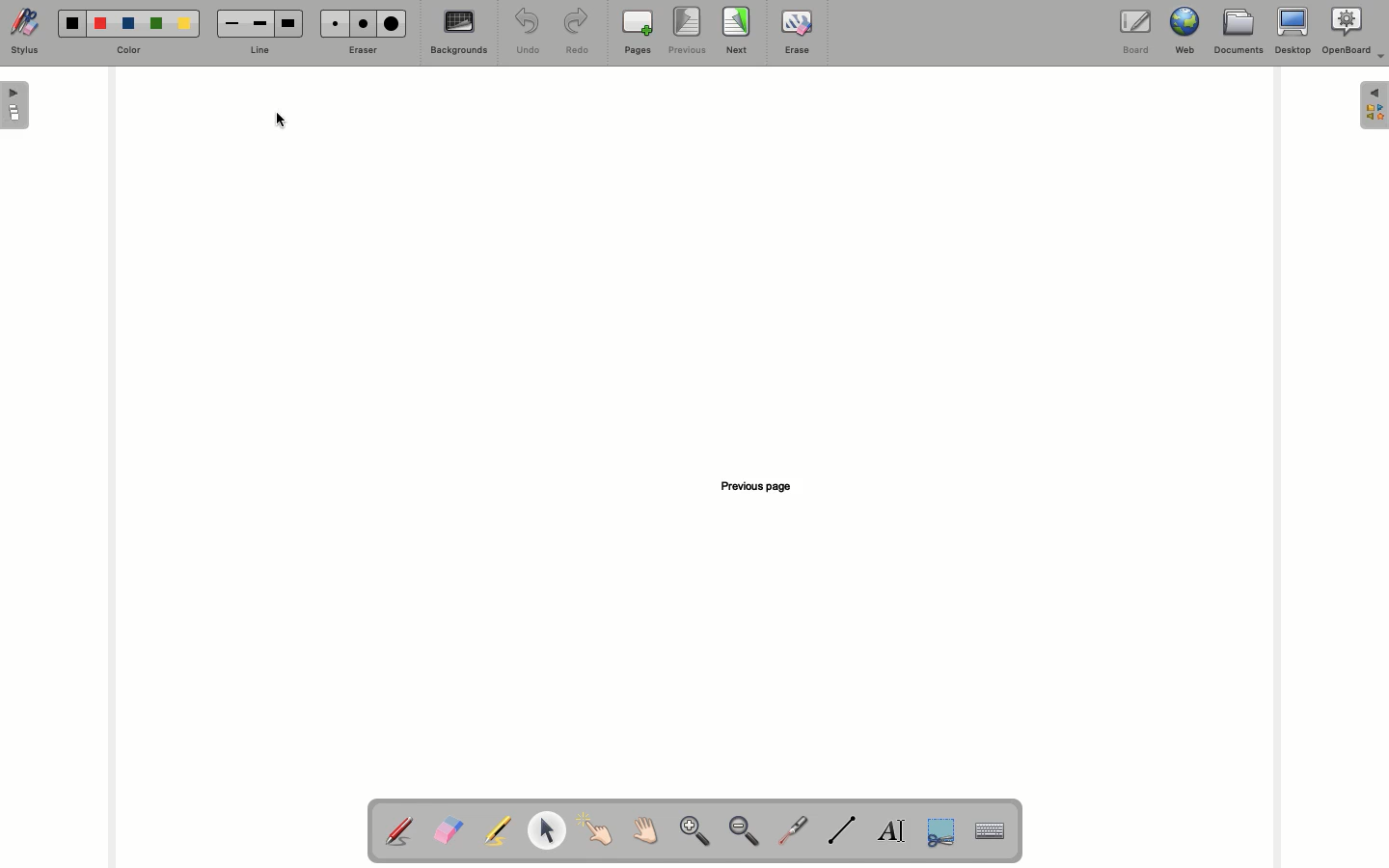 The height and width of the screenshot is (868, 1389). I want to click on Line, so click(256, 52).